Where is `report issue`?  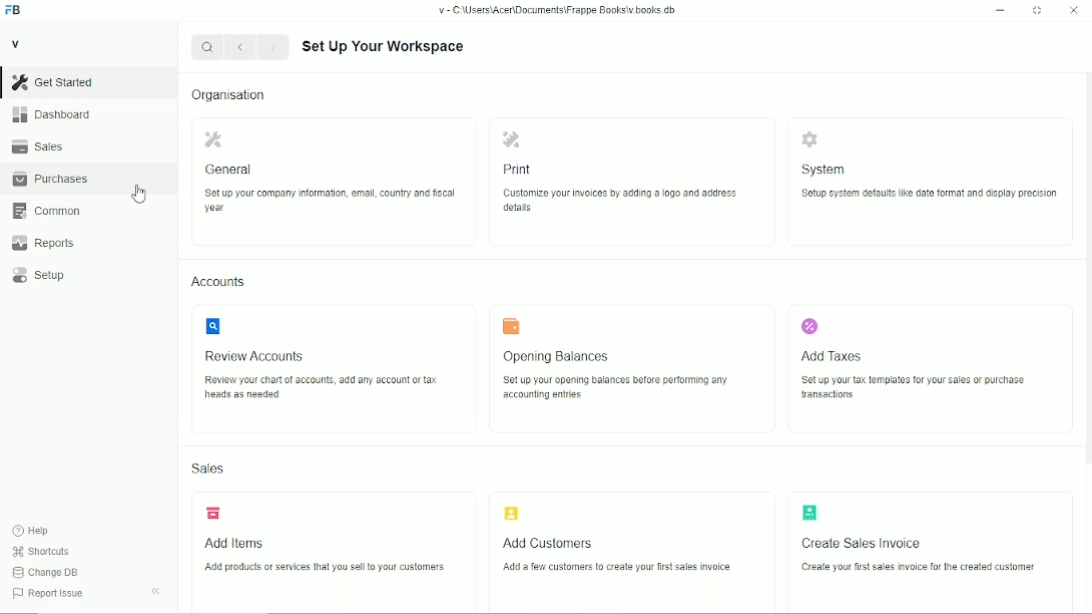 report issue is located at coordinates (48, 593).